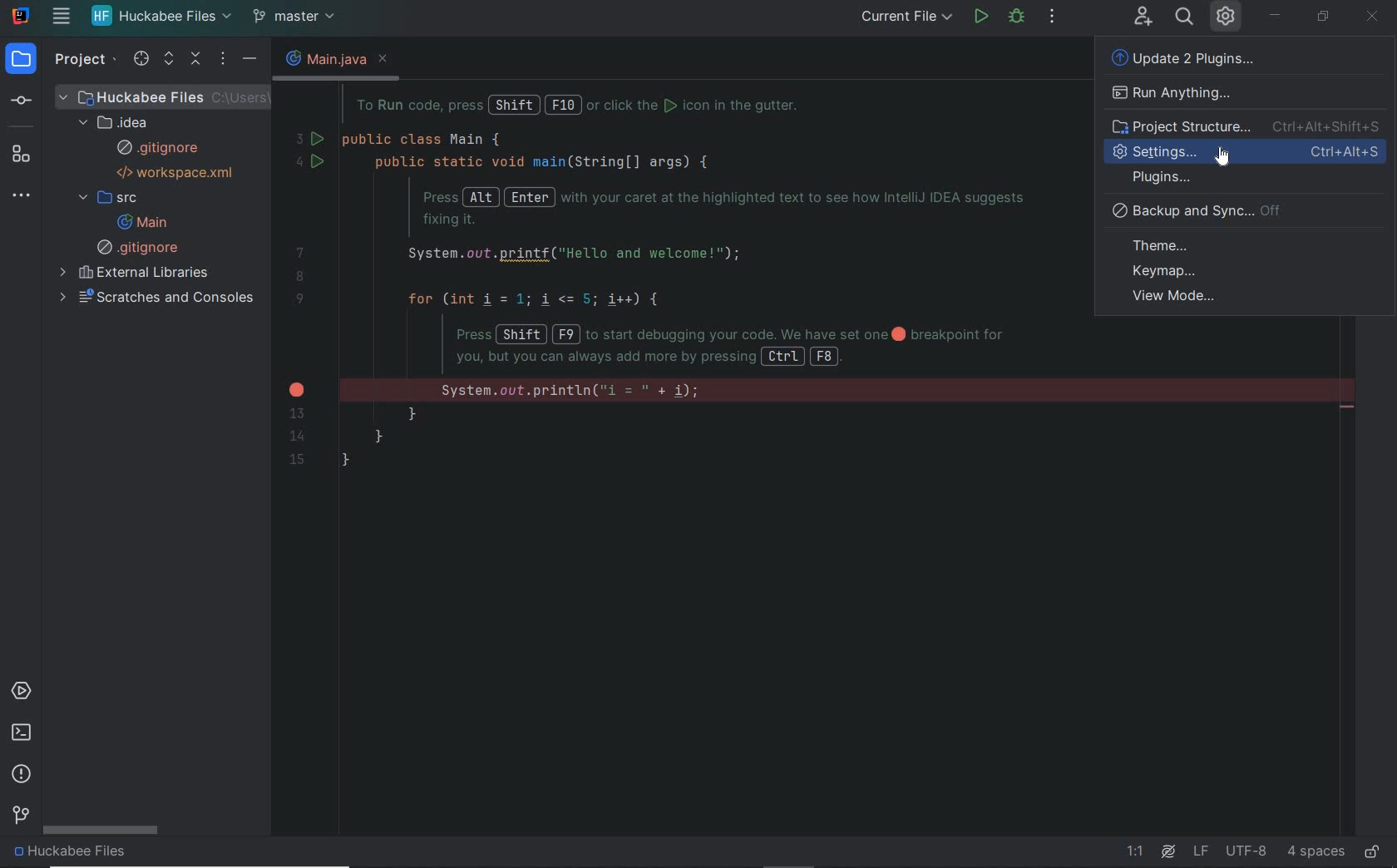 This screenshot has width=1397, height=868. I want to click on problems, so click(22, 774).